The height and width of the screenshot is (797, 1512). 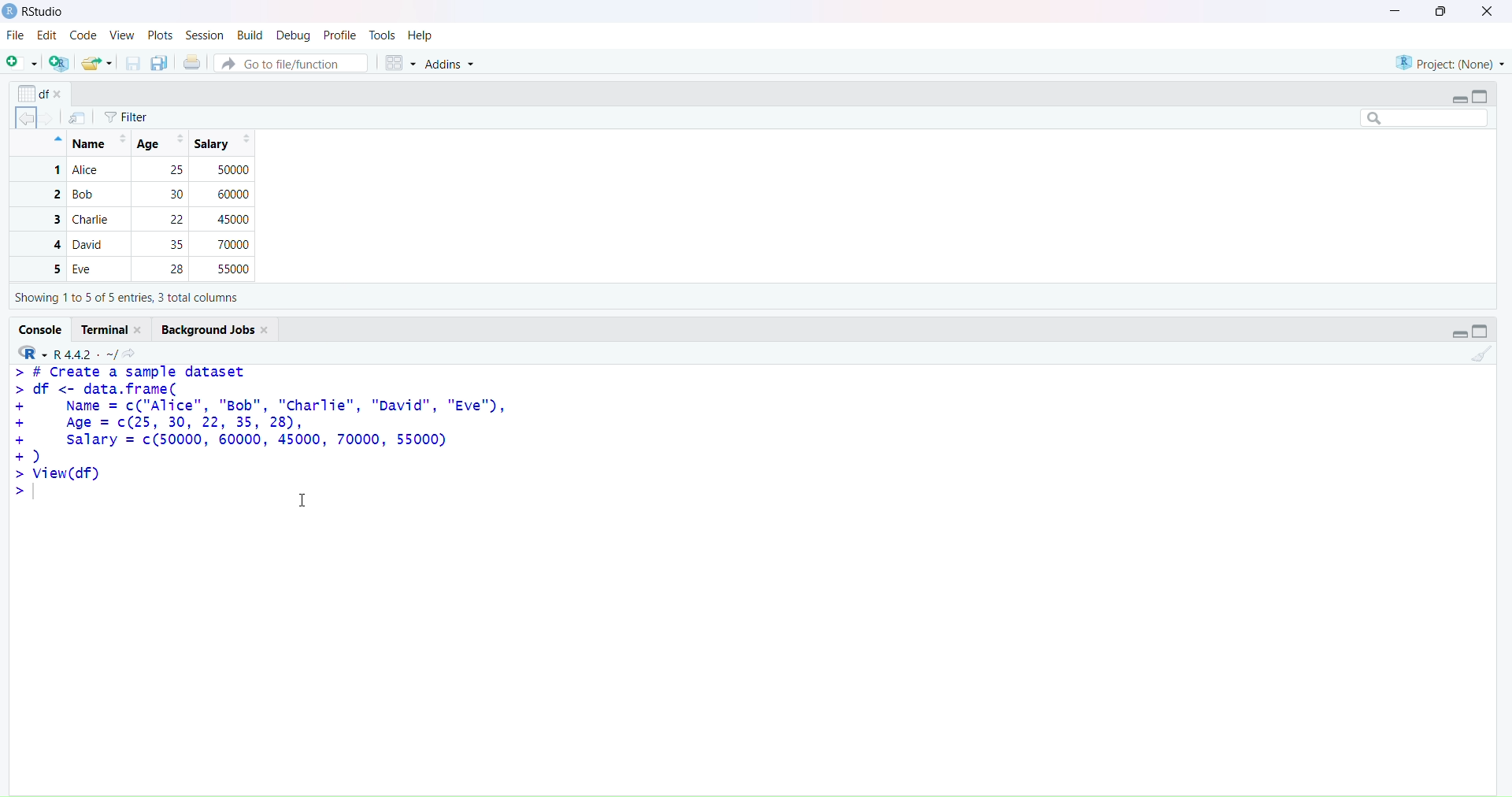 What do you see at coordinates (86, 35) in the screenshot?
I see `code` at bounding box center [86, 35].